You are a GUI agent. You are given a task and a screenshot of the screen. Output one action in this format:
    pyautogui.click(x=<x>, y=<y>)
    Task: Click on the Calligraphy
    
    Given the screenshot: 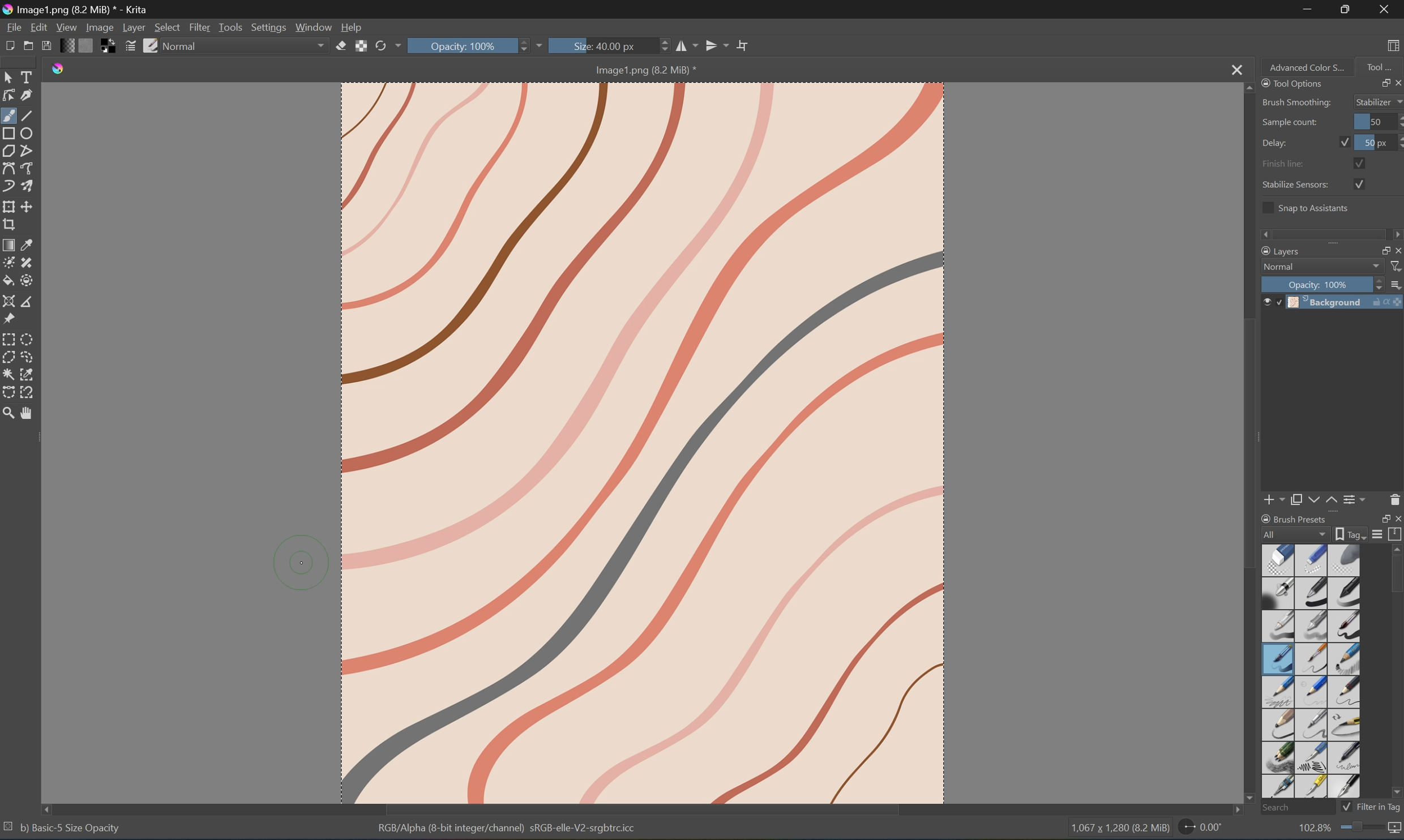 What is the action you would take?
    pyautogui.click(x=27, y=95)
    